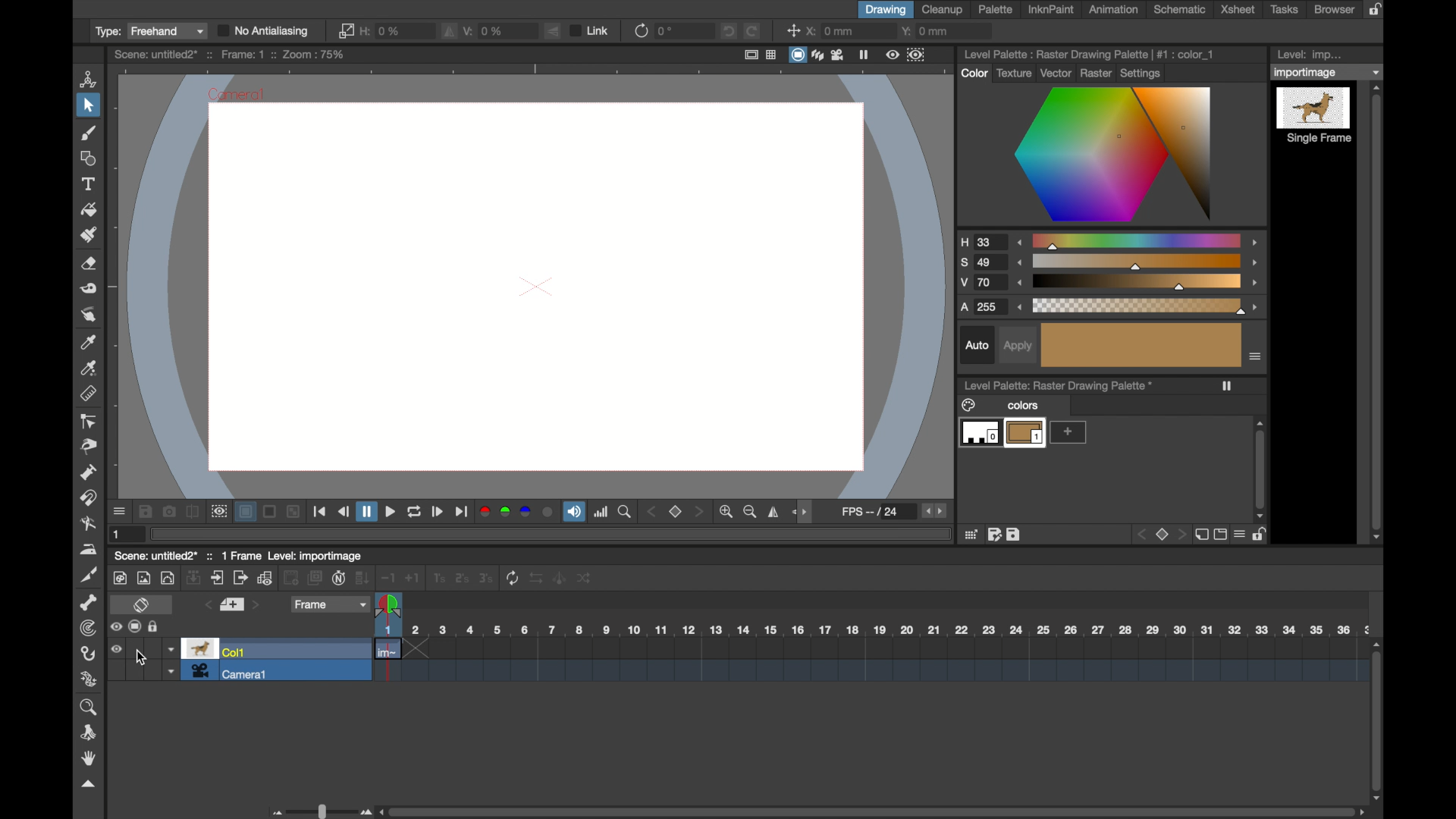  Describe the element at coordinates (640, 31) in the screenshot. I see `refresh` at that location.